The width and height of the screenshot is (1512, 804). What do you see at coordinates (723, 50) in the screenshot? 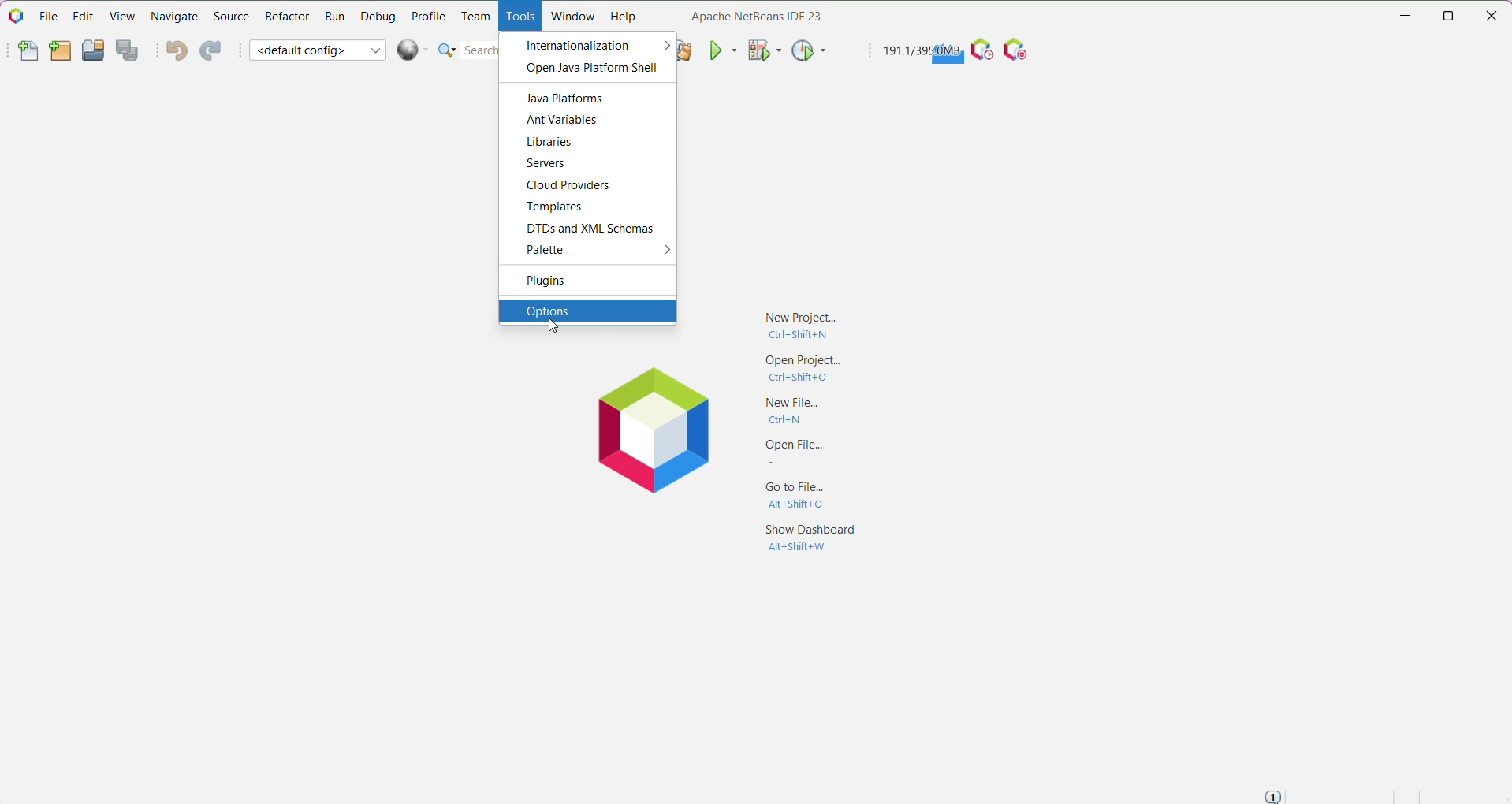
I see `Run Project` at bounding box center [723, 50].